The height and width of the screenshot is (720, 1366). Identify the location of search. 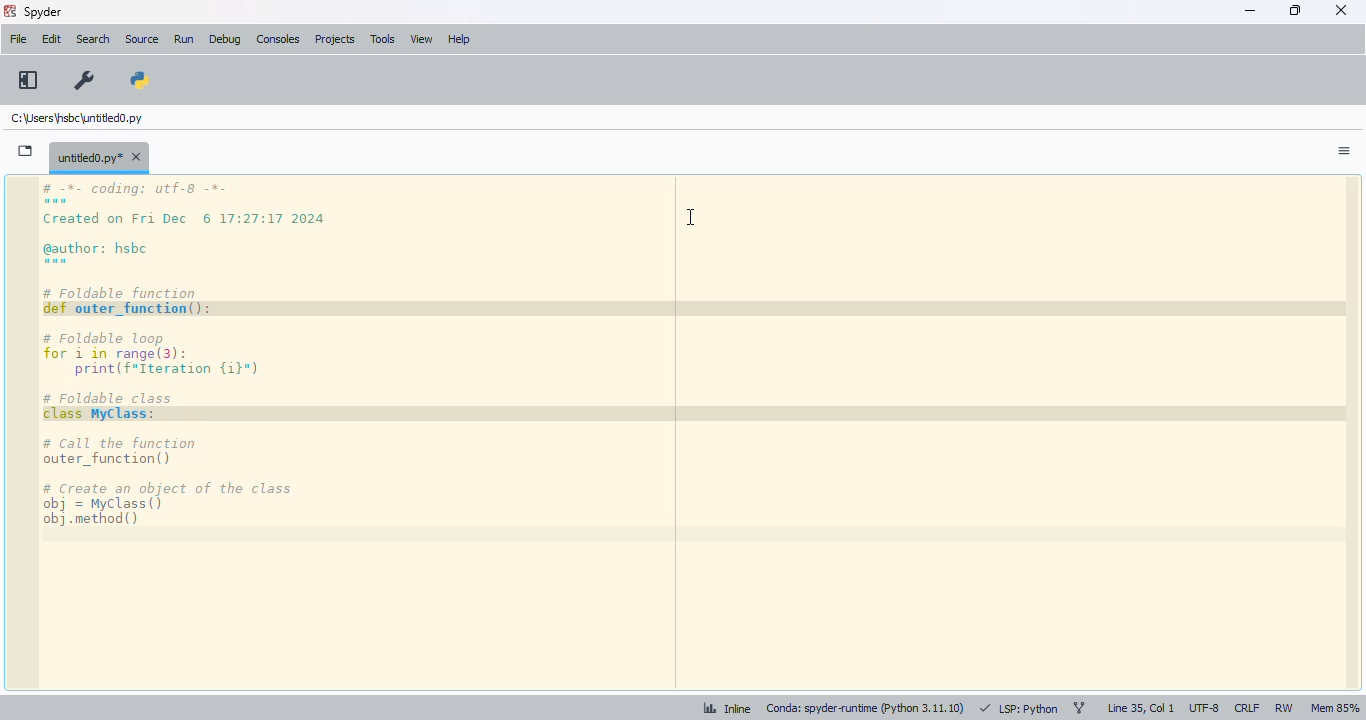
(93, 39).